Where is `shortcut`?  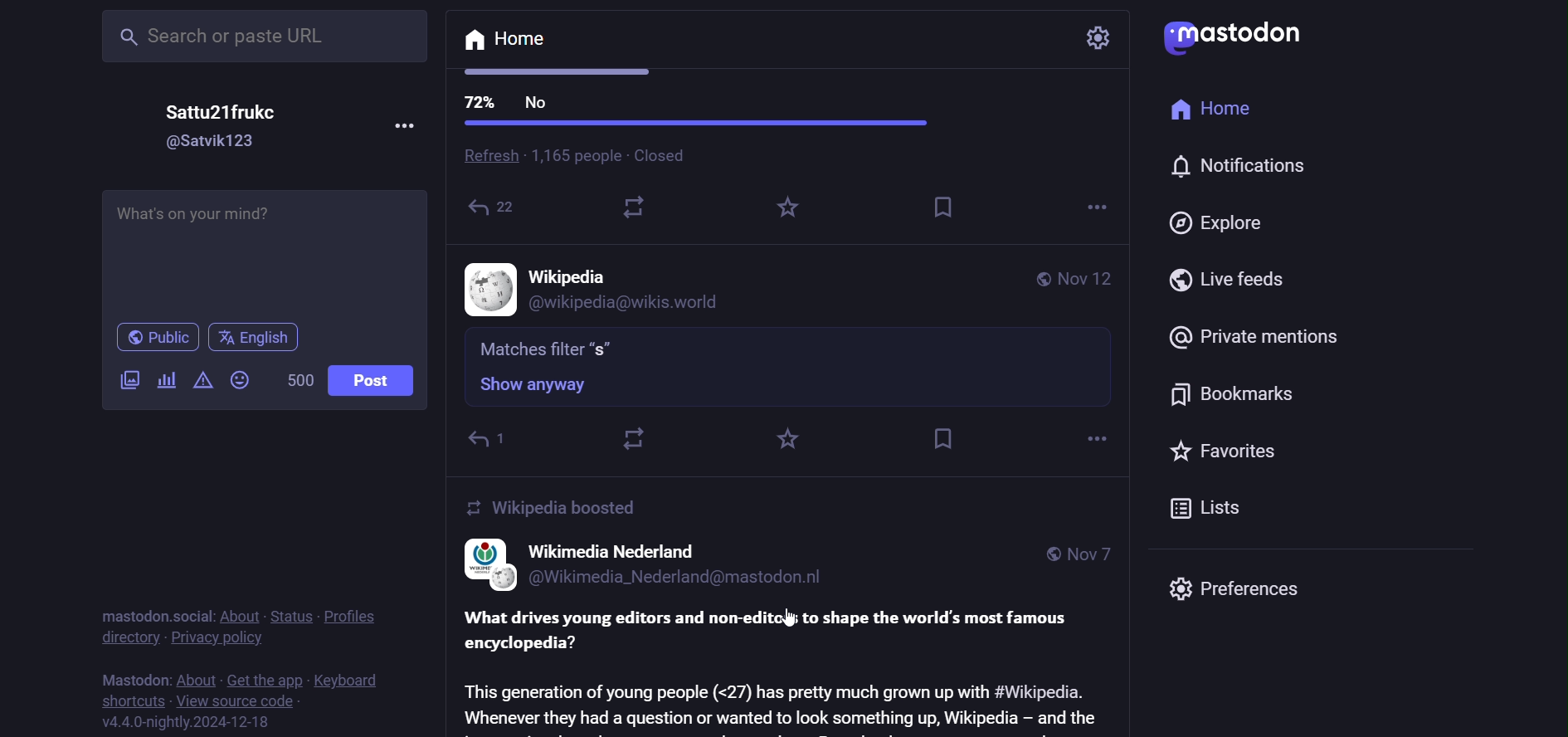
shortcut is located at coordinates (126, 700).